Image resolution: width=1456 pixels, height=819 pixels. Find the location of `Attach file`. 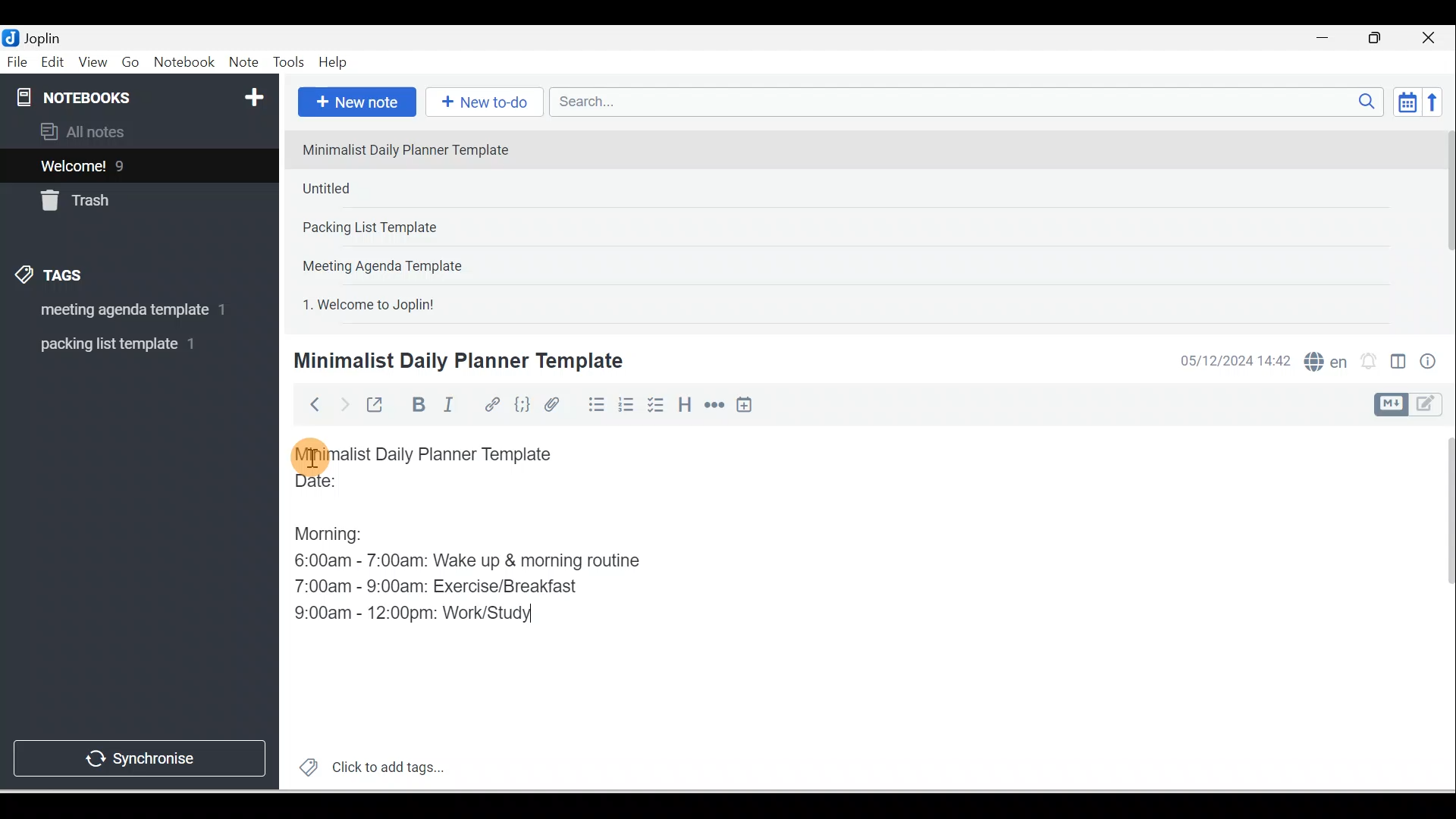

Attach file is located at coordinates (556, 404).